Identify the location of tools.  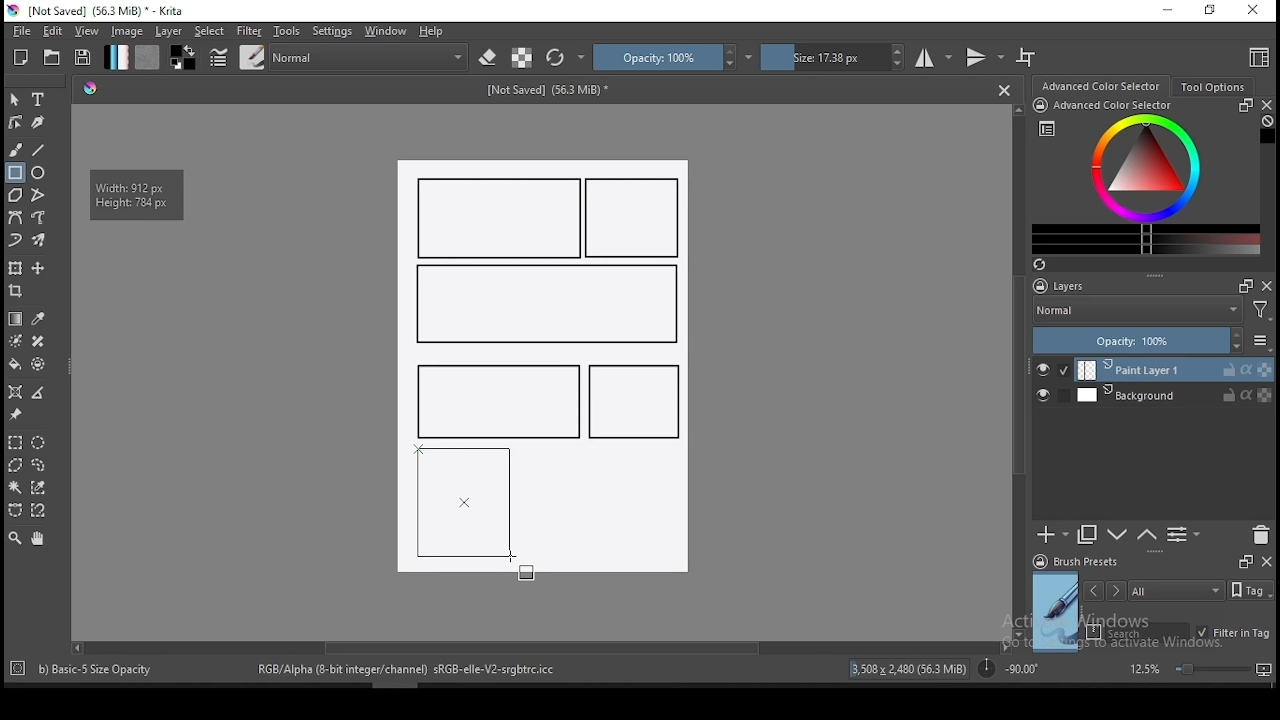
(287, 31).